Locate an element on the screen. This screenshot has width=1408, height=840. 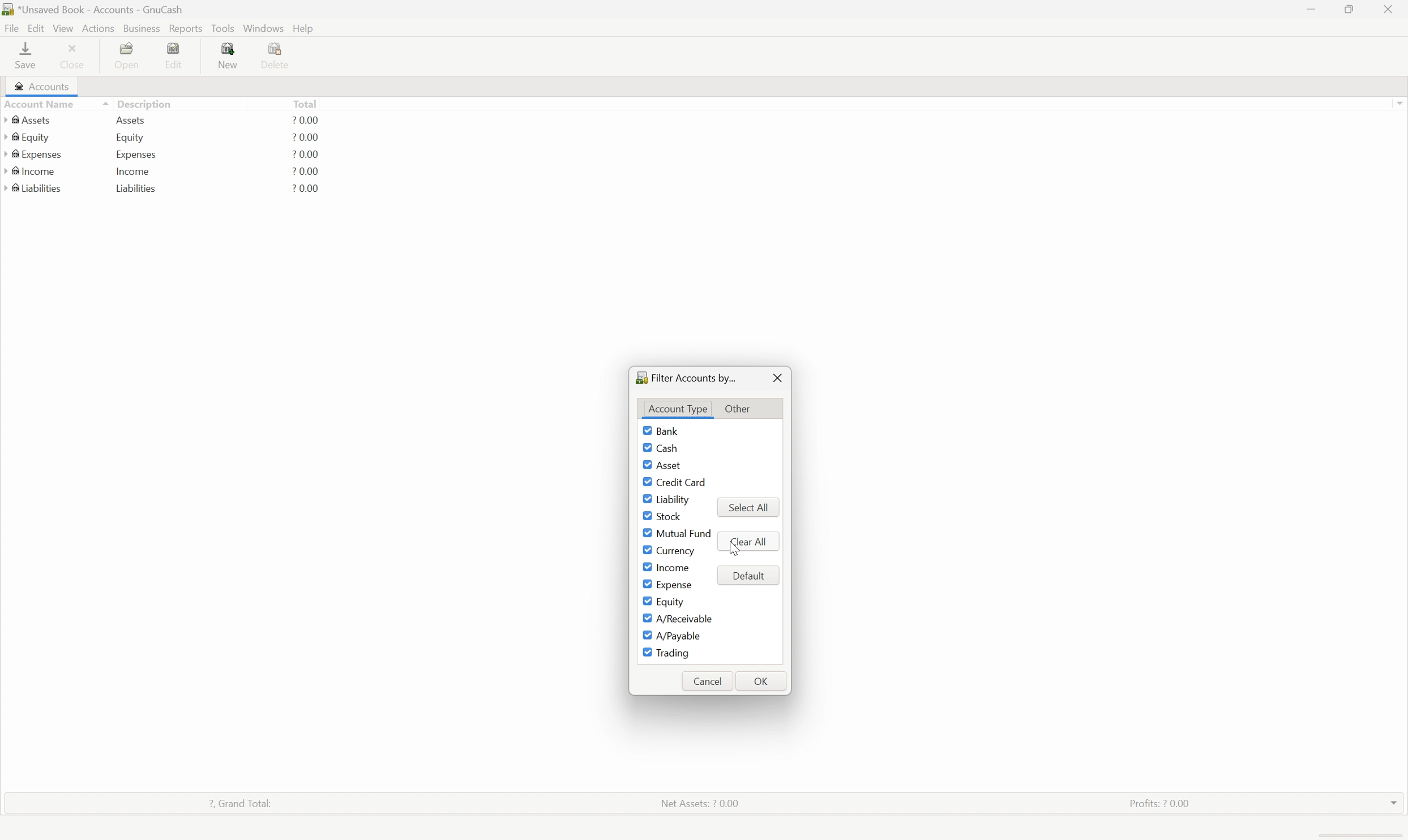
? 0.00 is located at coordinates (306, 138).